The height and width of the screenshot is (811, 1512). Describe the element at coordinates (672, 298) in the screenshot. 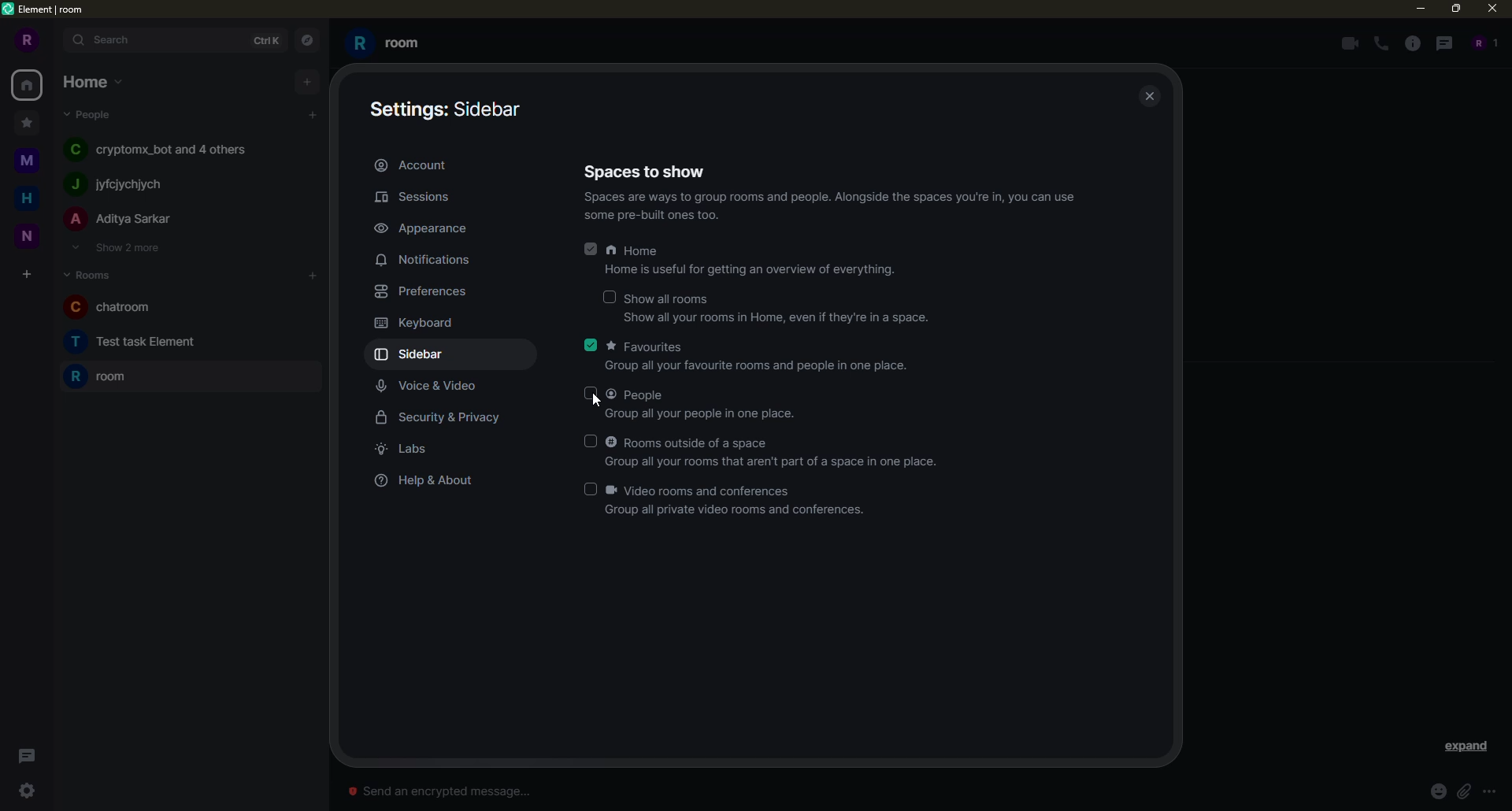

I see `show all rooms` at that location.